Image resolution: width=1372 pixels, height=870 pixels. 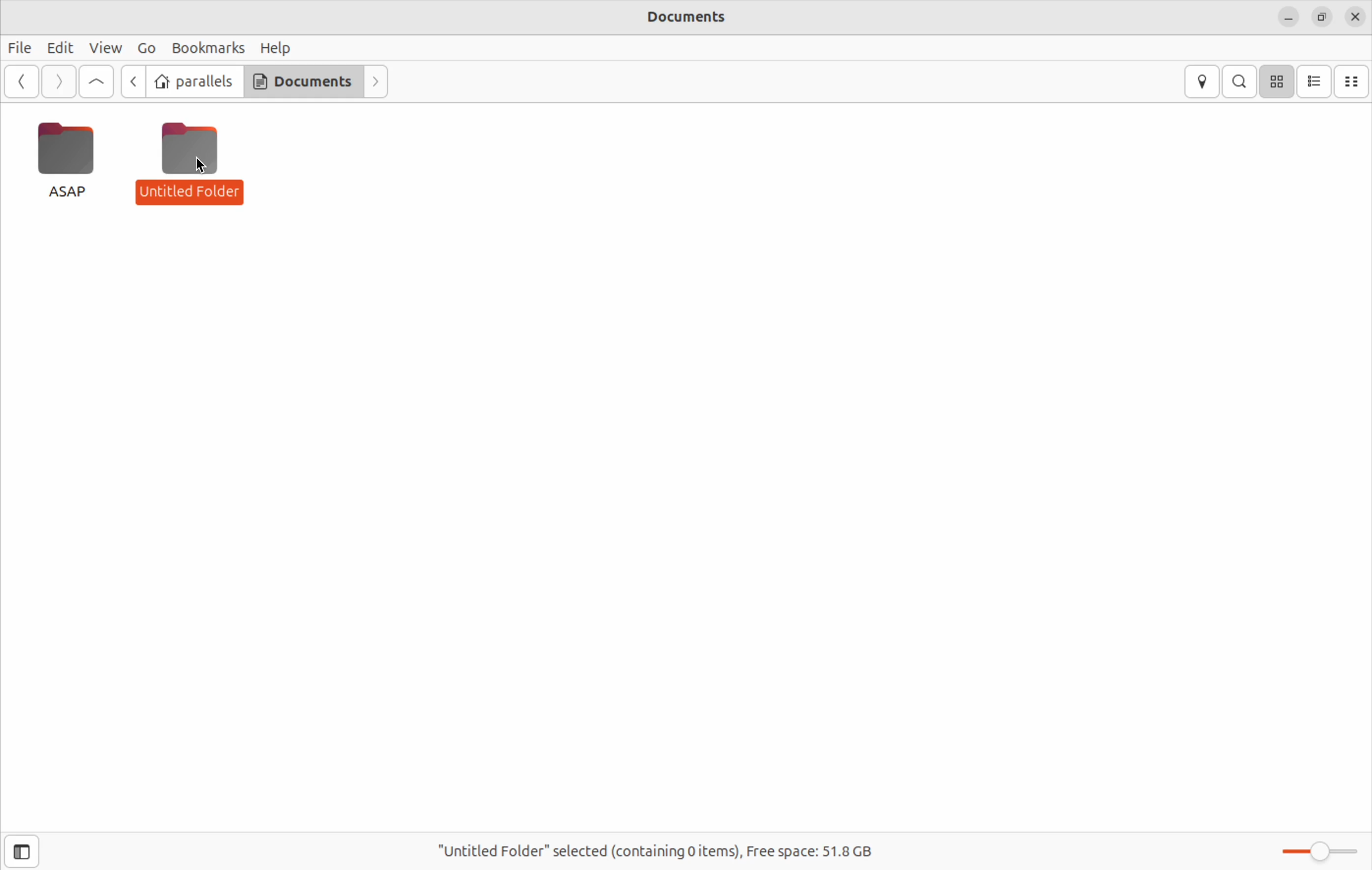 I want to click on list view, so click(x=1317, y=80).